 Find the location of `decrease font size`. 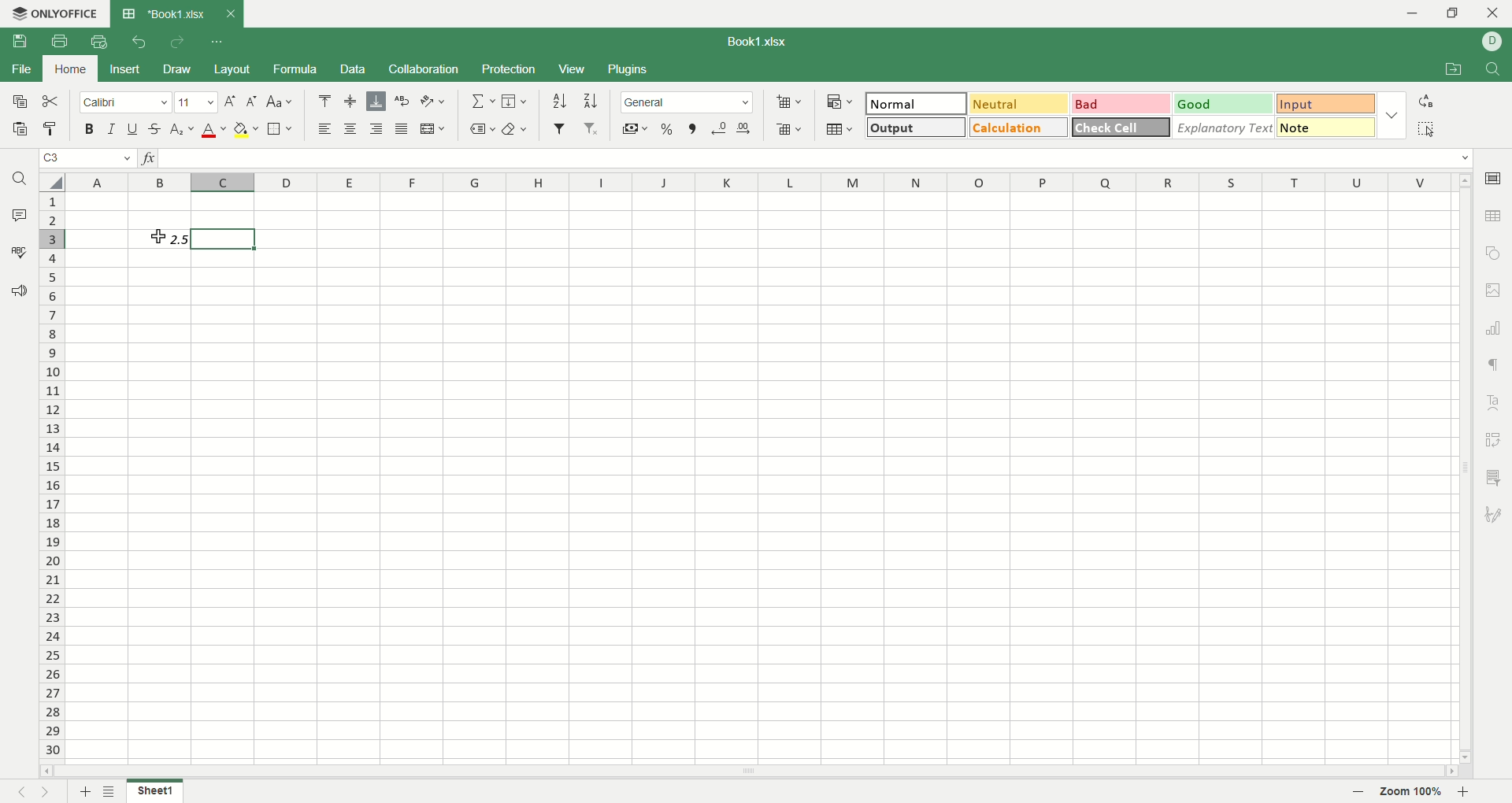

decrease font size is located at coordinates (252, 102).